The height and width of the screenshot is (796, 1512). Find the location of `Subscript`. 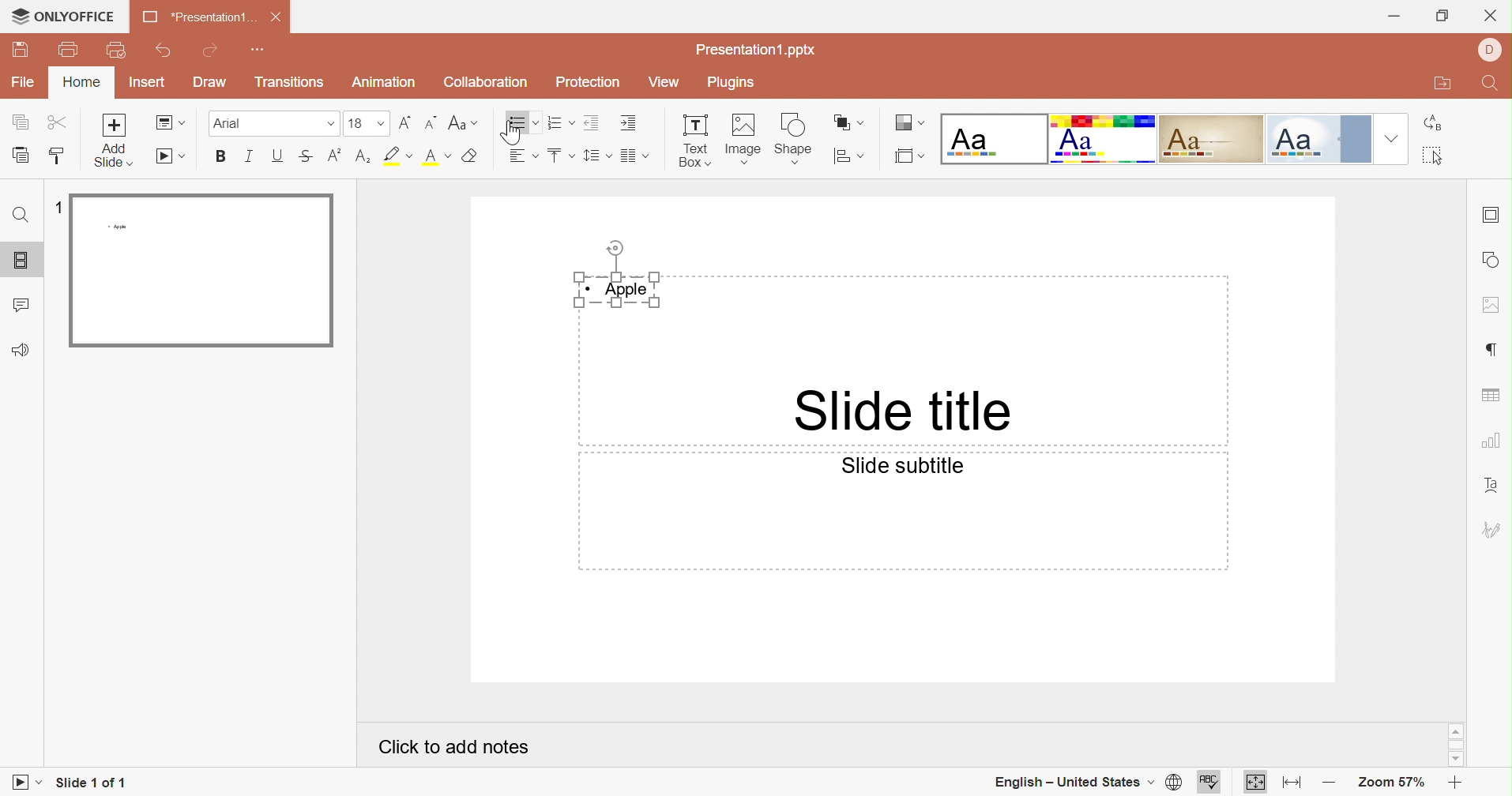

Subscript is located at coordinates (363, 155).